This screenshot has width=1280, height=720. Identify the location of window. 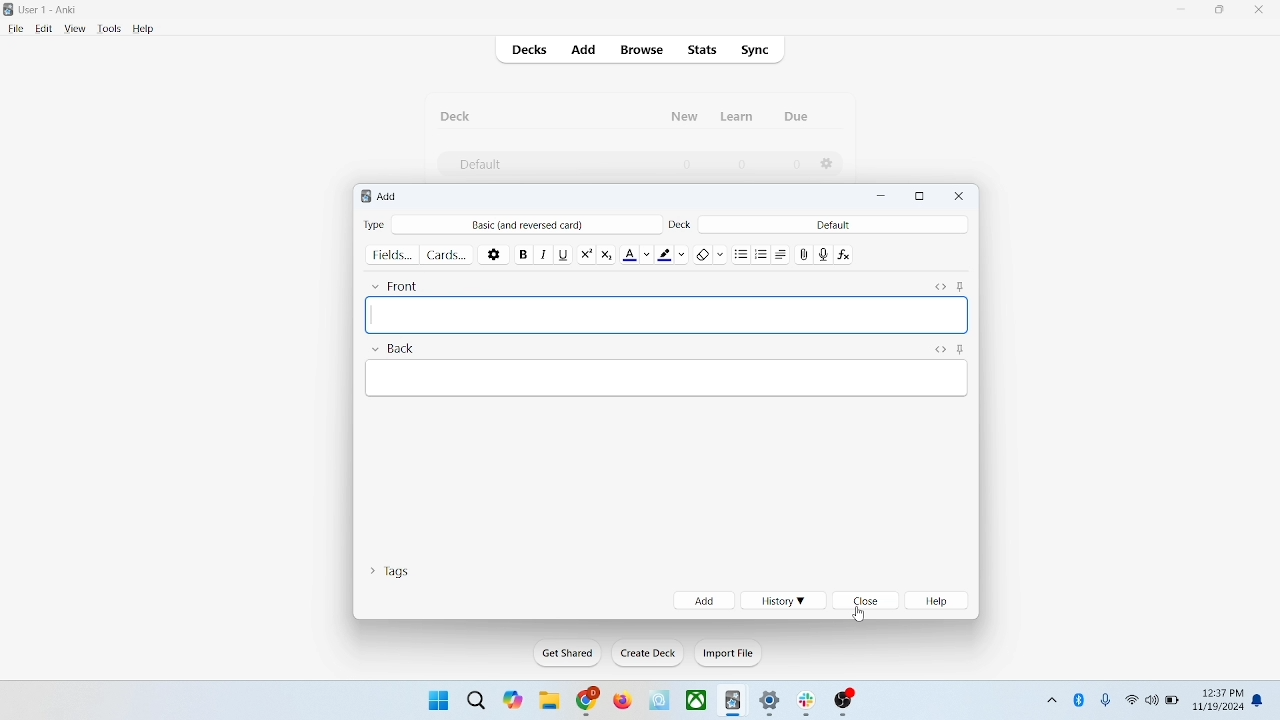
(436, 699).